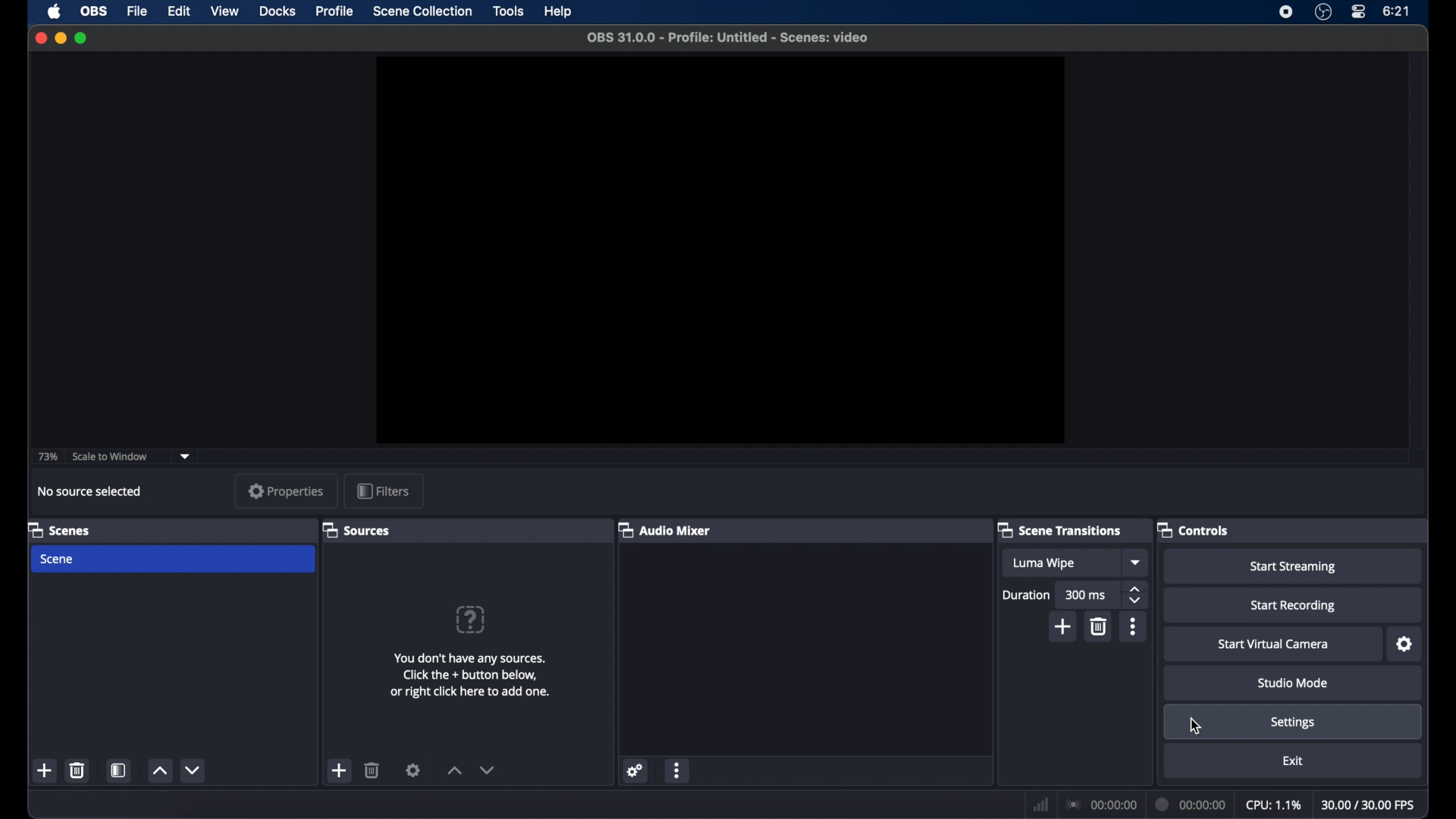 This screenshot has height=819, width=1456. What do you see at coordinates (45, 771) in the screenshot?
I see `add` at bounding box center [45, 771].